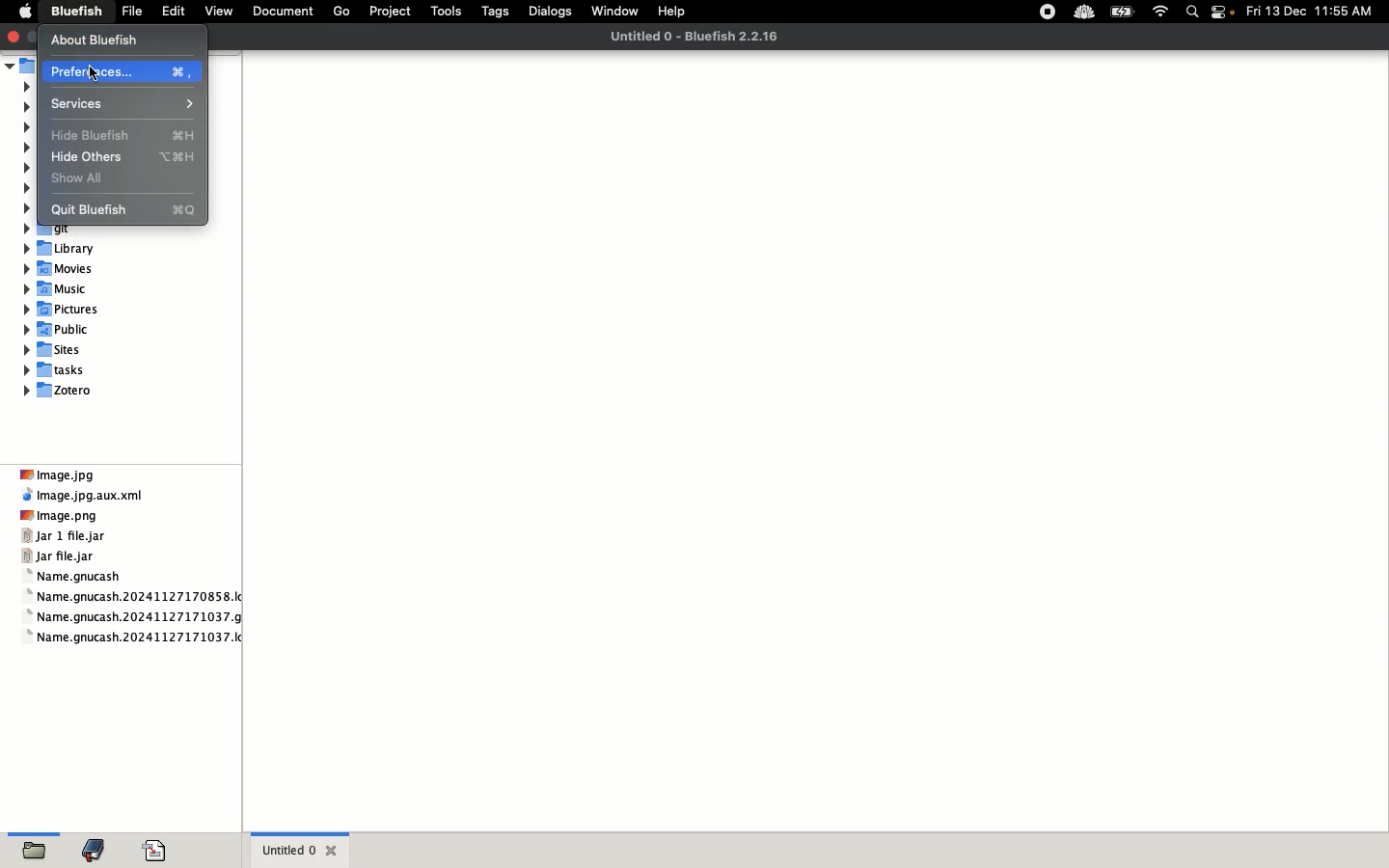 This screenshot has width=1389, height=868. What do you see at coordinates (170, 11) in the screenshot?
I see `Edit` at bounding box center [170, 11].